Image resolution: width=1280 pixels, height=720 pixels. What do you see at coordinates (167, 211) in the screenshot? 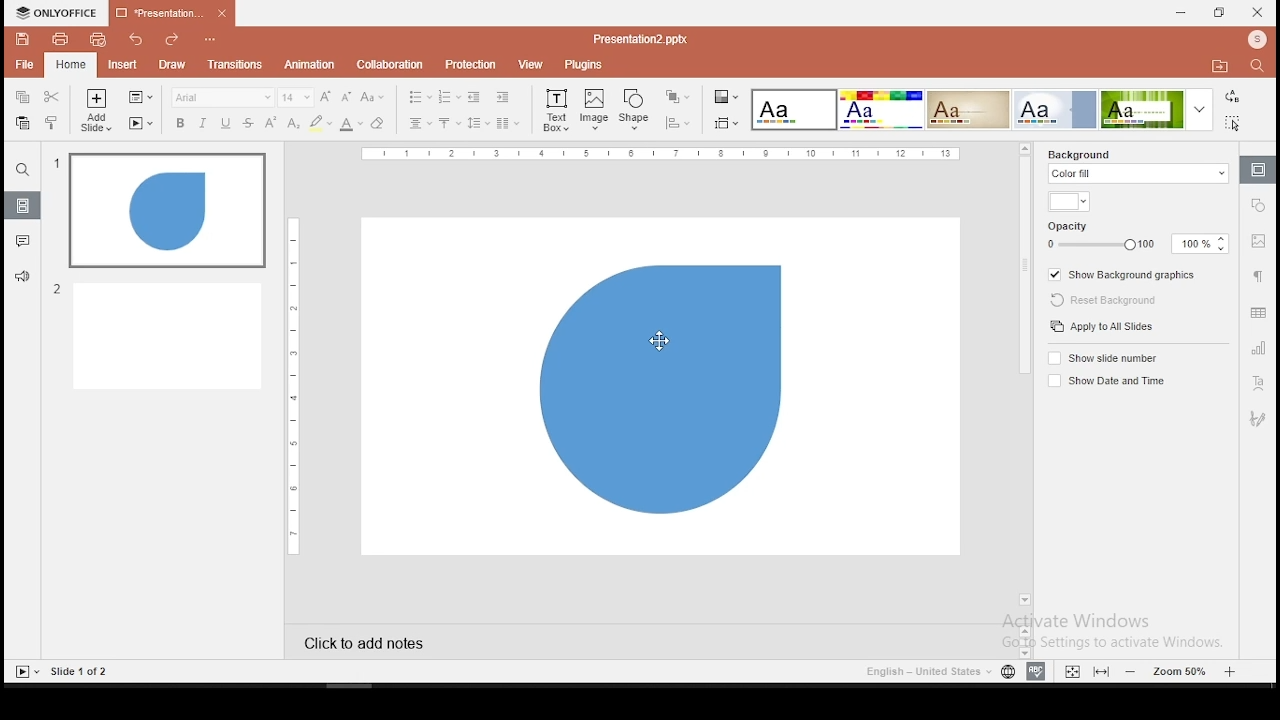
I see `slide 1` at bounding box center [167, 211].